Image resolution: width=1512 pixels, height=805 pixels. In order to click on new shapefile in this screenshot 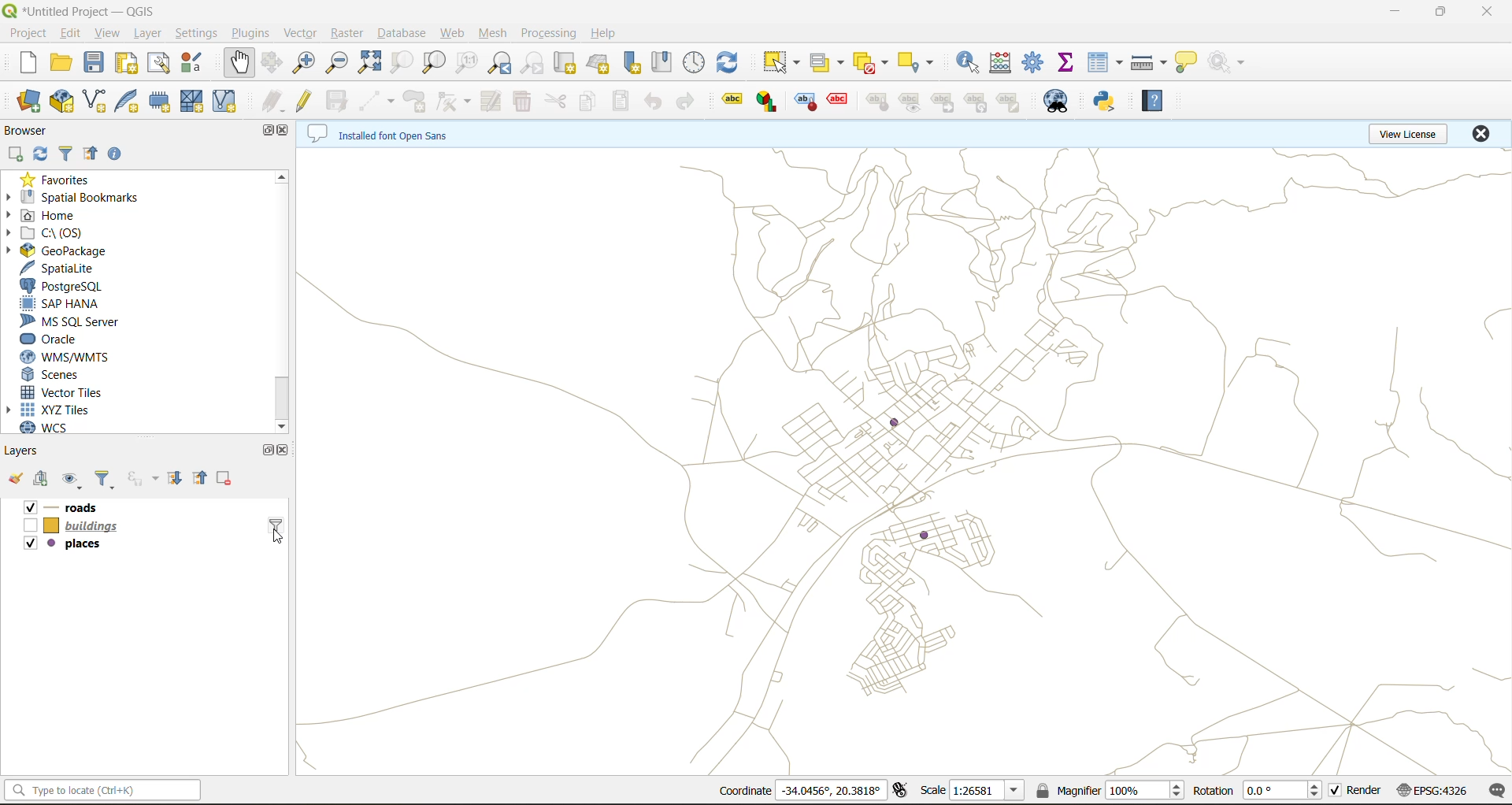, I will do `click(97, 98)`.